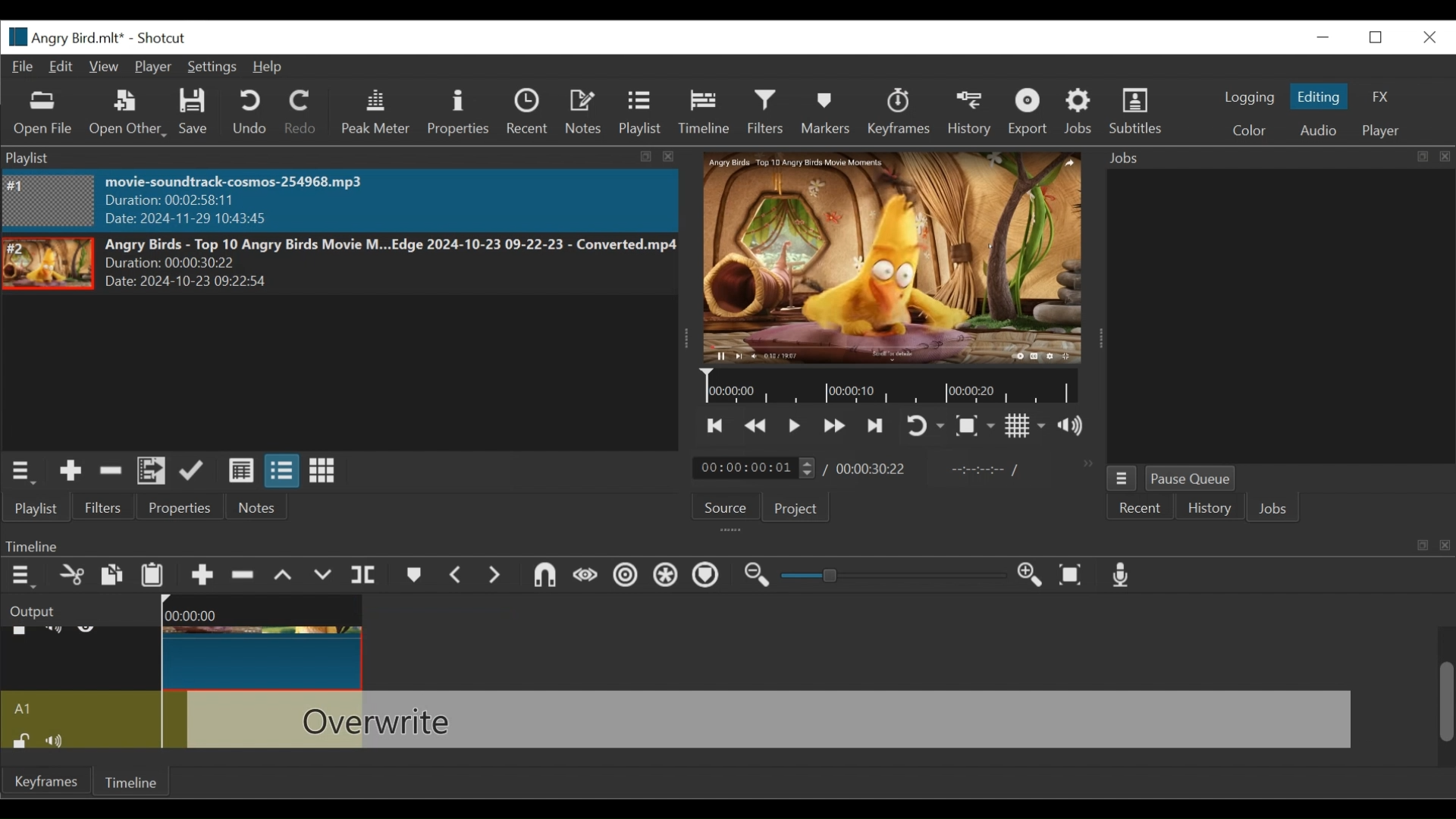 This screenshot has width=1456, height=819. What do you see at coordinates (1209, 508) in the screenshot?
I see `History` at bounding box center [1209, 508].